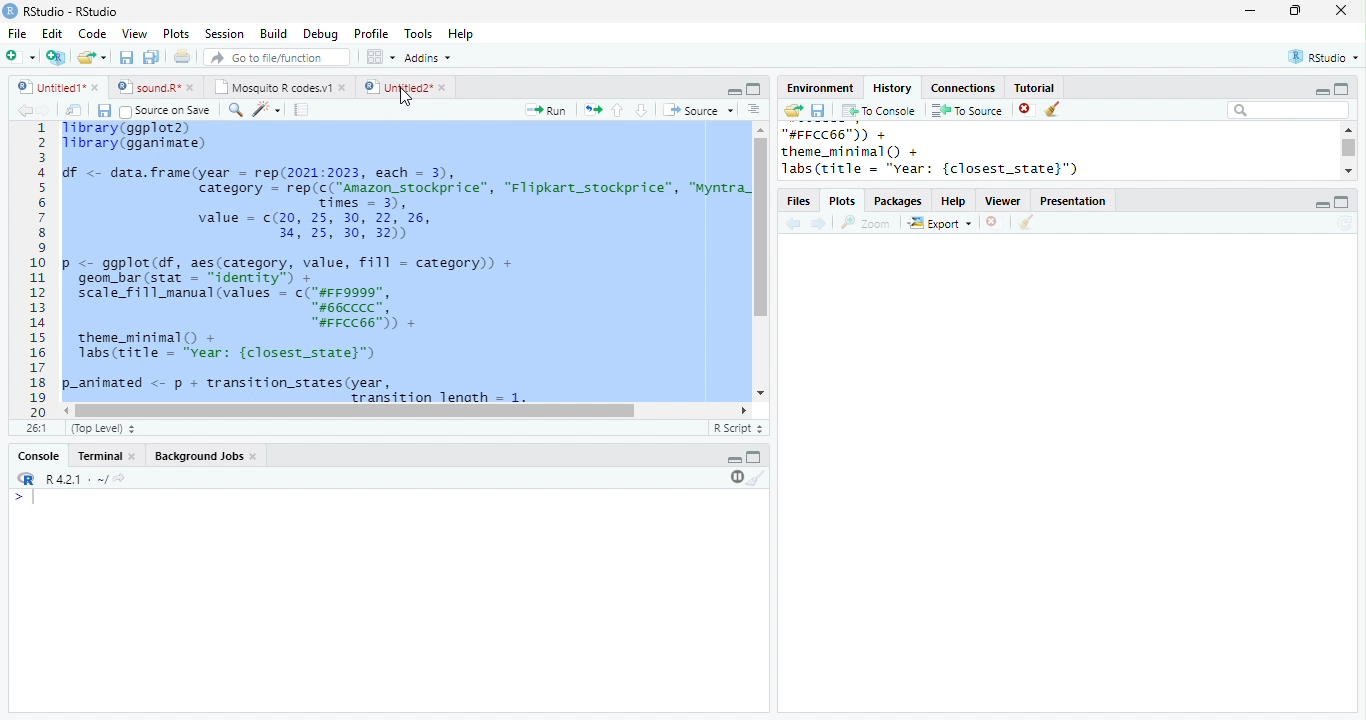  I want to click on Source, so click(698, 109).